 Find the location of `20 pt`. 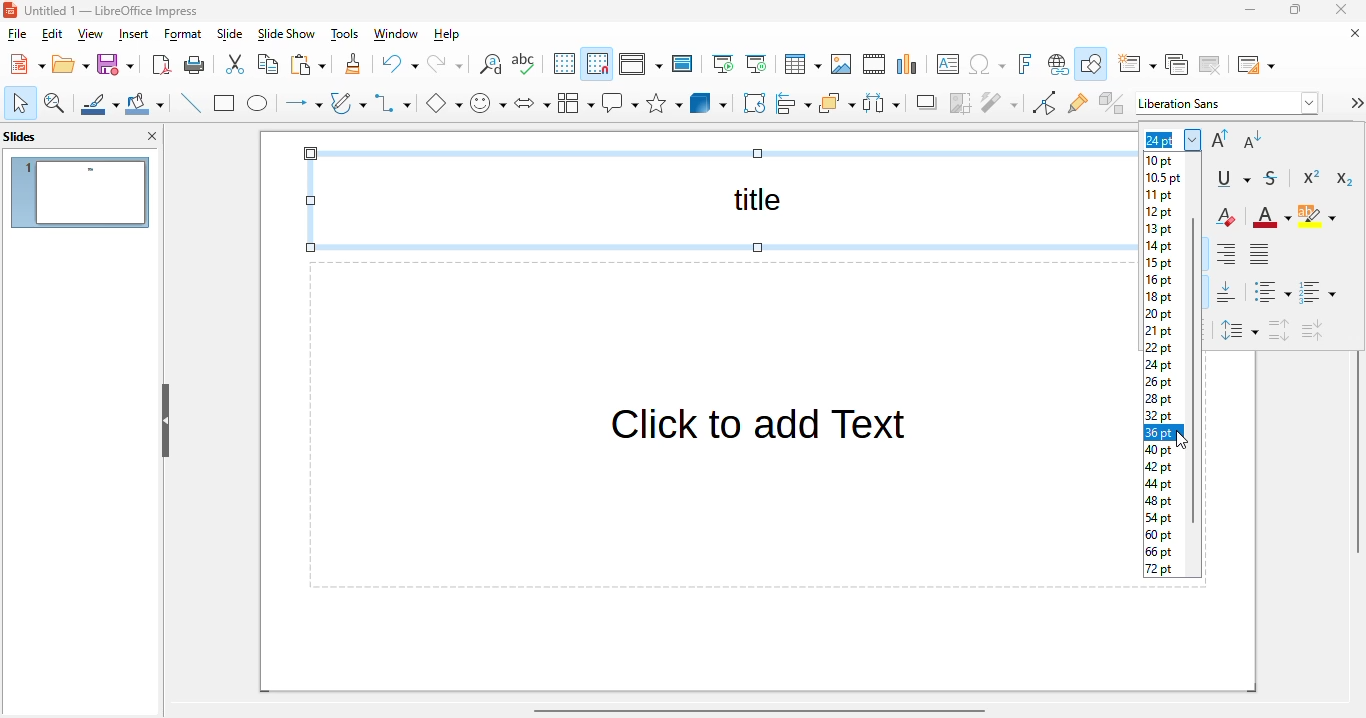

20 pt is located at coordinates (1159, 315).